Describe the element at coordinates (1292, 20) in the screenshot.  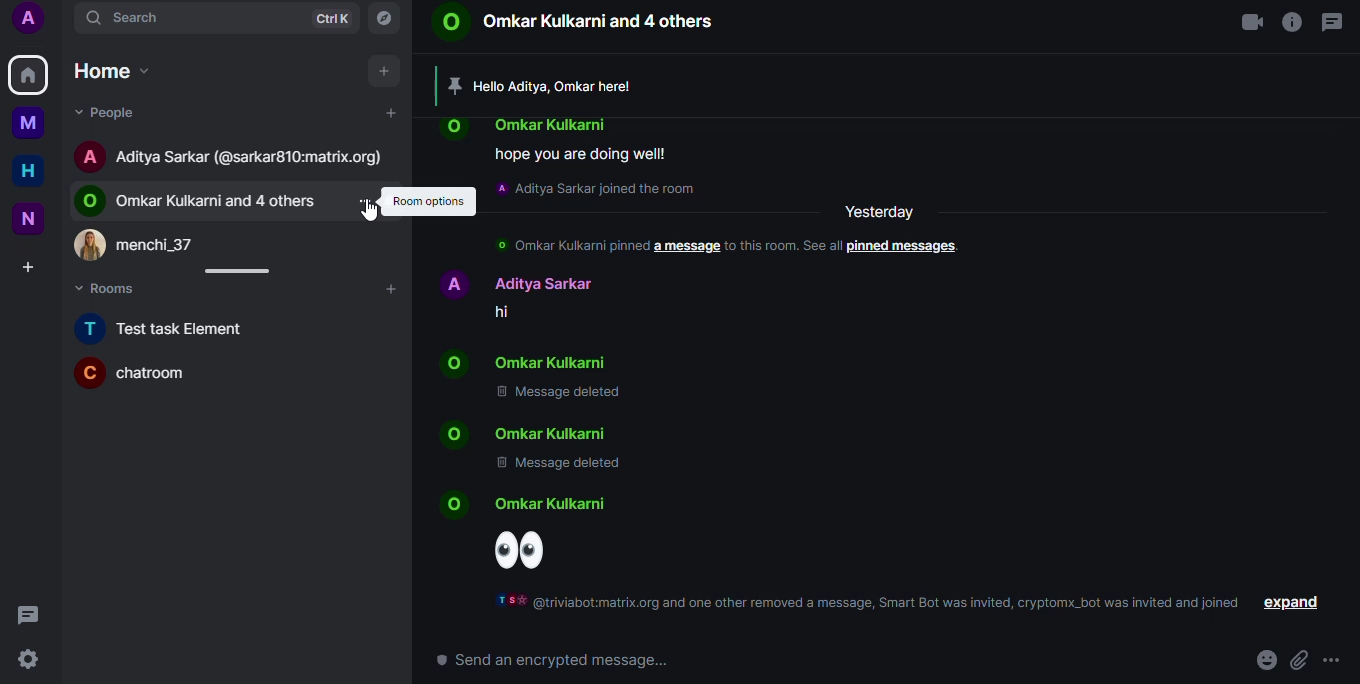
I see `info` at that location.